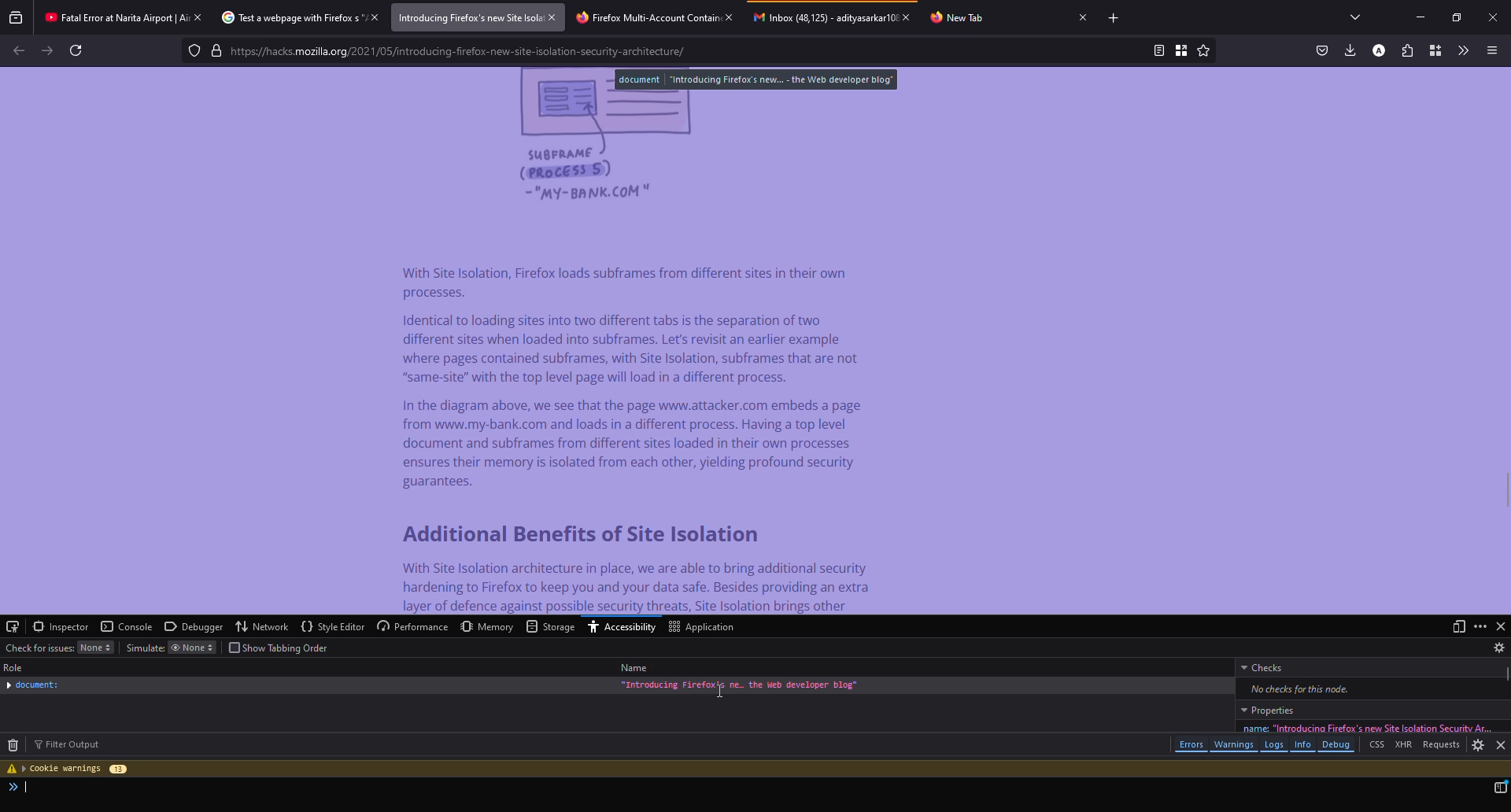  Describe the element at coordinates (95, 648) in the screenshot. I see `none` at that location.